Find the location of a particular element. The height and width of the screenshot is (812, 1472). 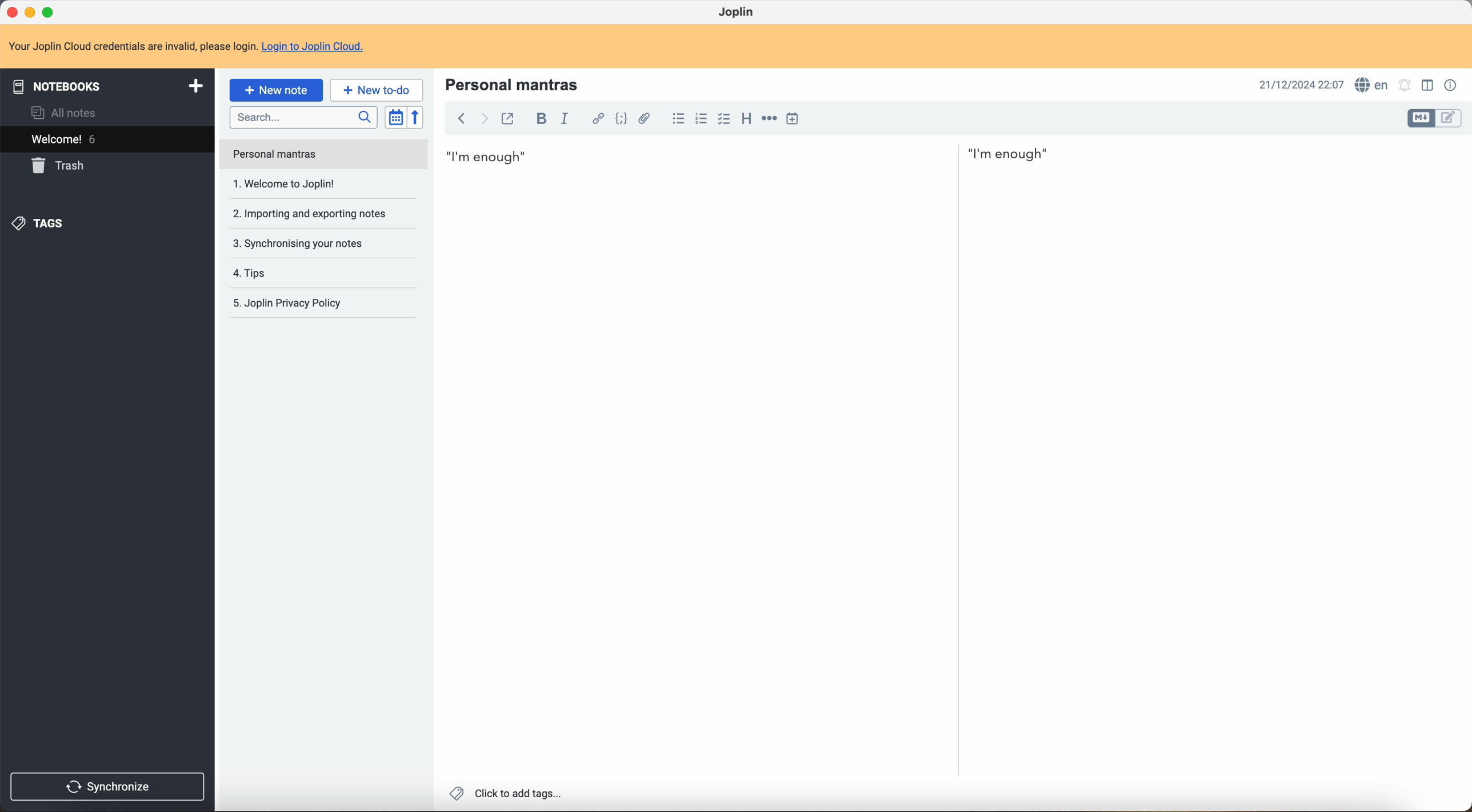

toggle edit layout is located at coordinates (1422, 119).